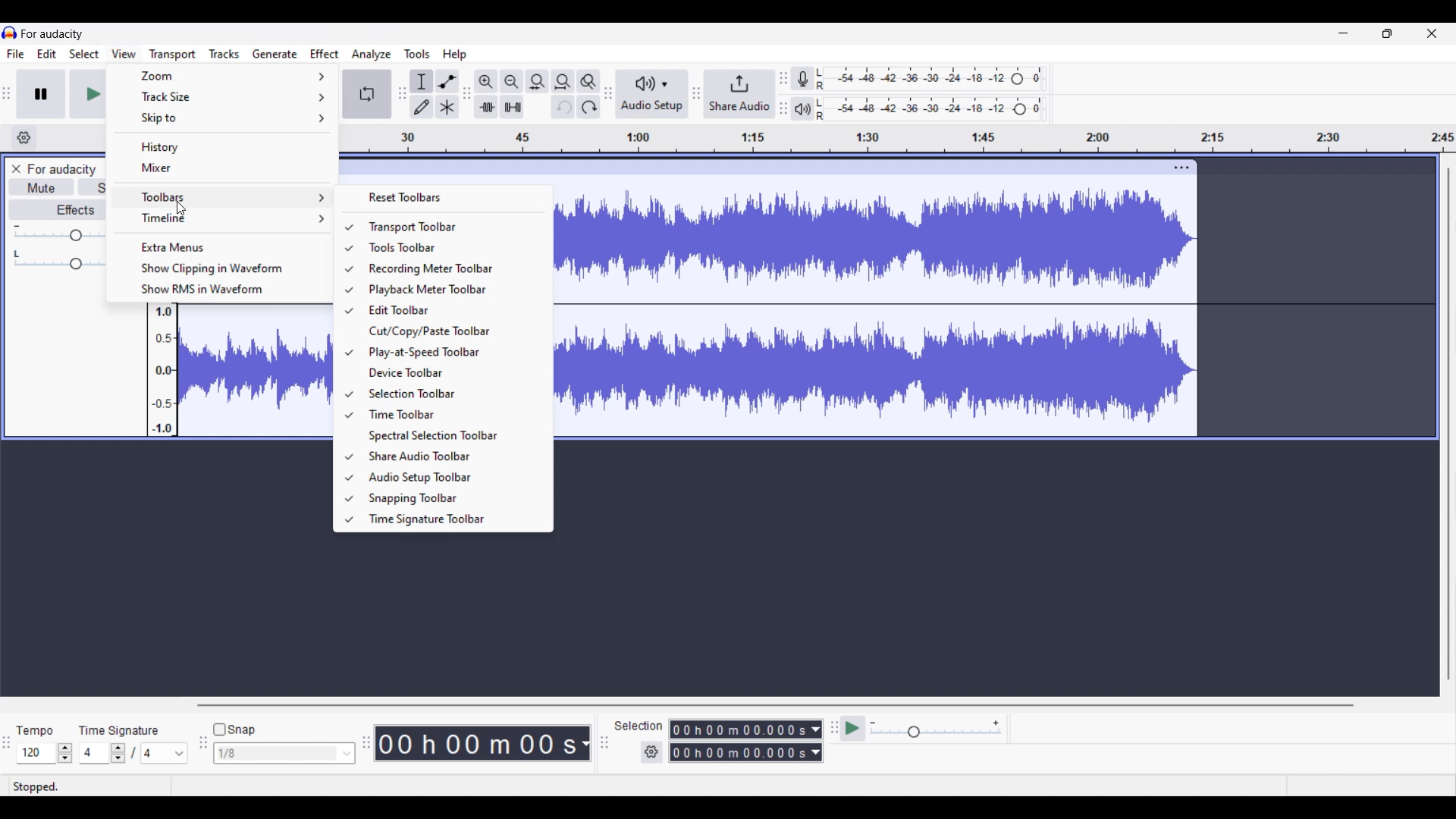 The height and width of the screenshot is (819, 1456). I want to click on Volume slider, so click(57, 234).